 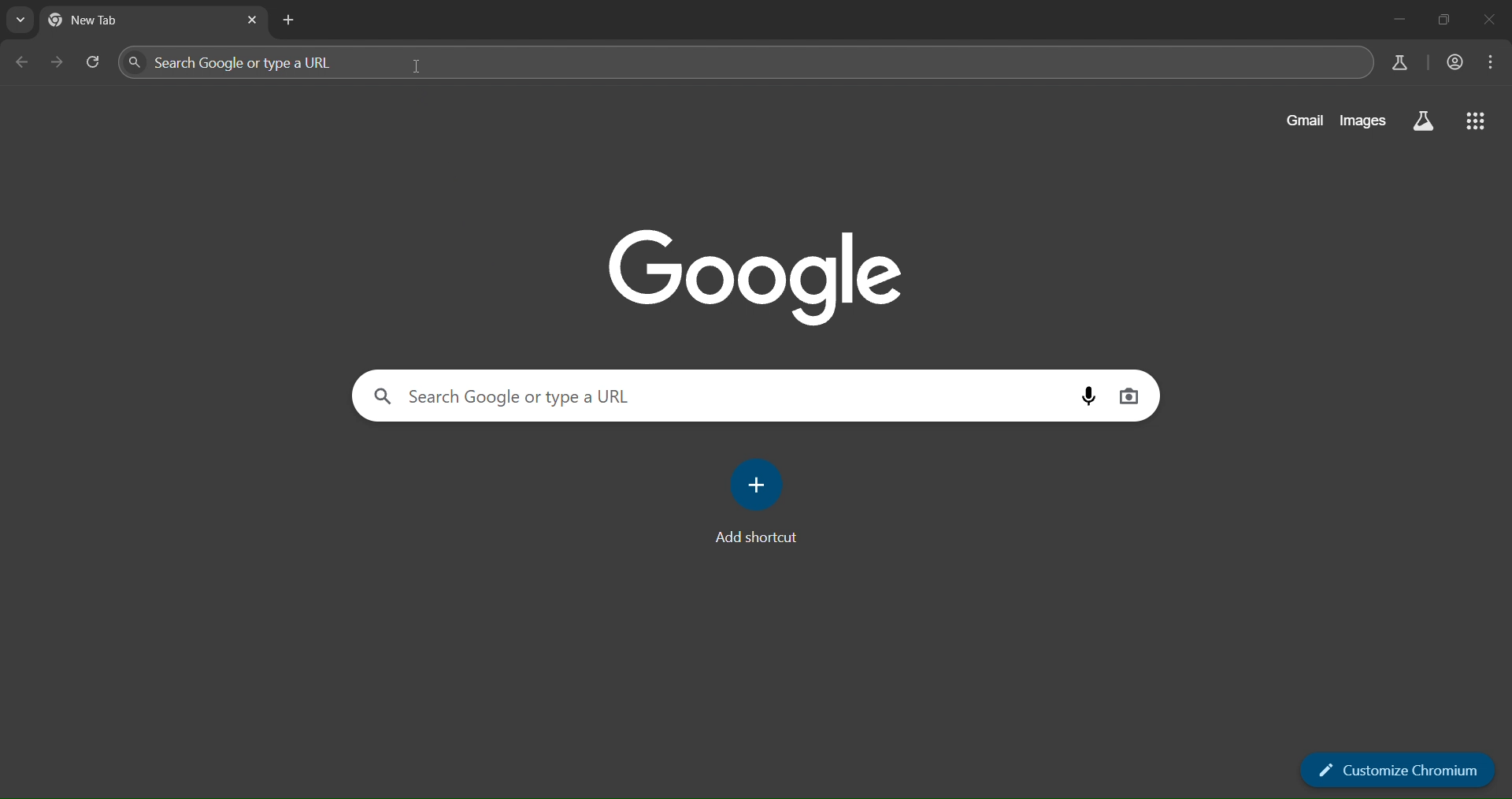 What do you see at coordinates (24, 61) in the screenshot?
I see `go back one page` at bounding box center [24, 61].